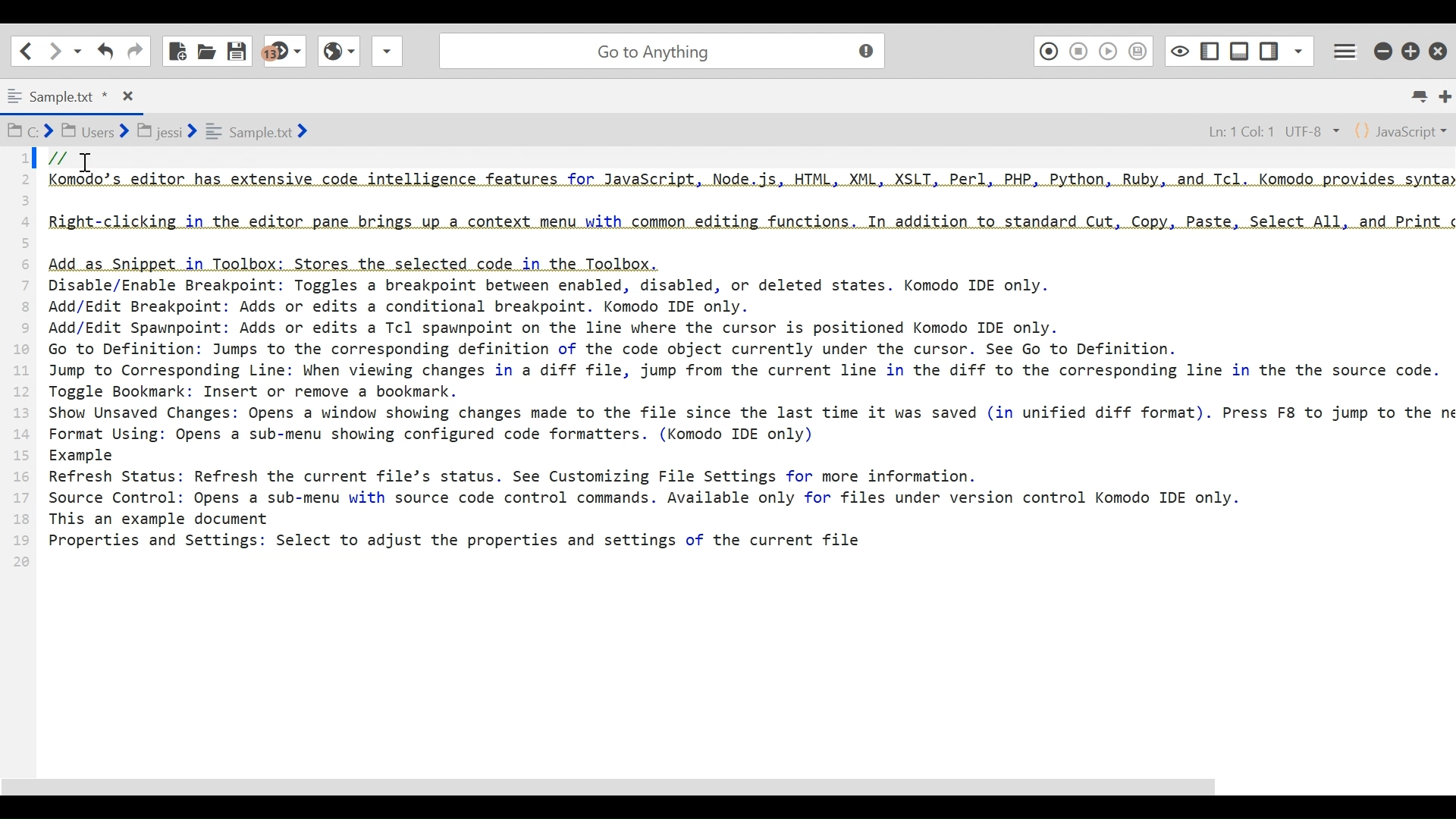 This screenshot has height=819, width=1456. Describe the element at coordinates (1240, 49) in the screenshot. I see `Show/Hide Bottom Panel` at that location.